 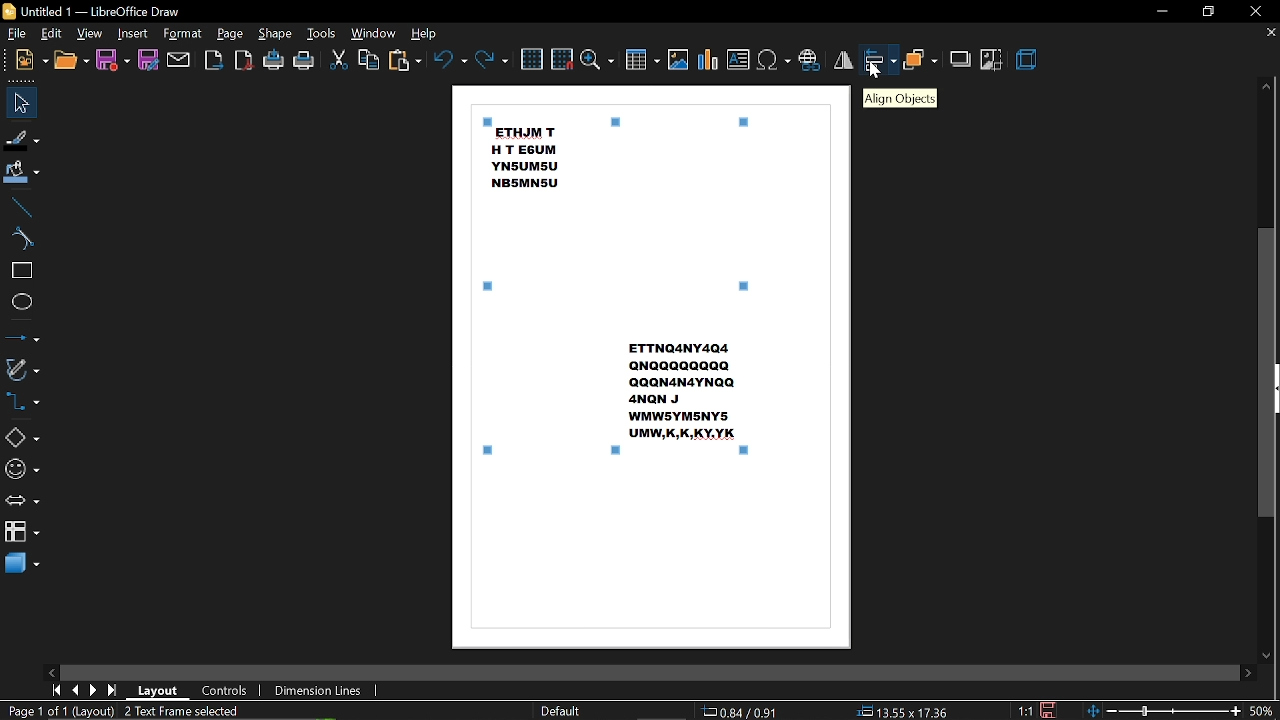 I want to click on go to last page, so click(x=115, y=690).